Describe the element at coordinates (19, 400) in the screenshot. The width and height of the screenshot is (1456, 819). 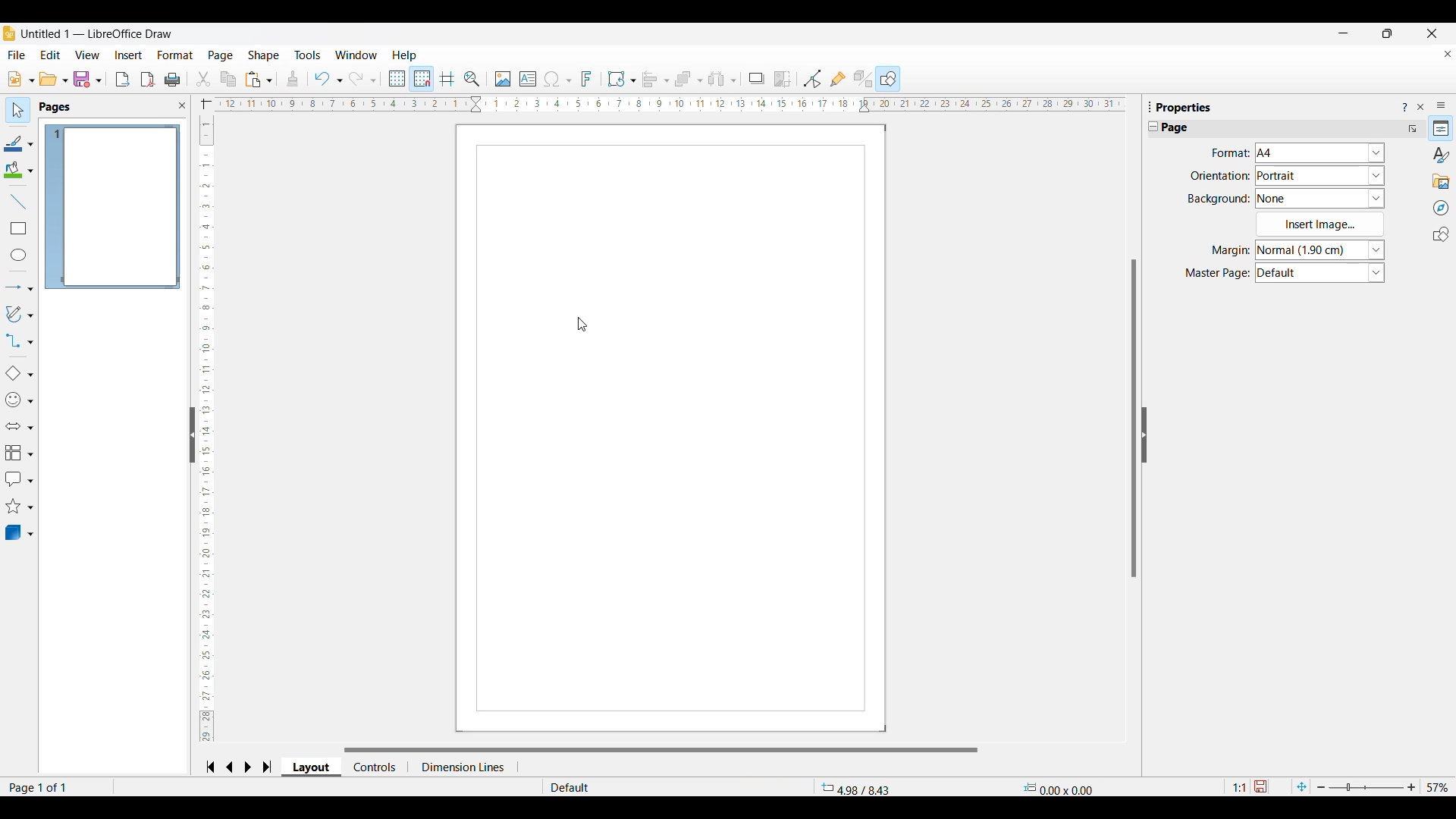
I see `Symbol shape options` at that location.